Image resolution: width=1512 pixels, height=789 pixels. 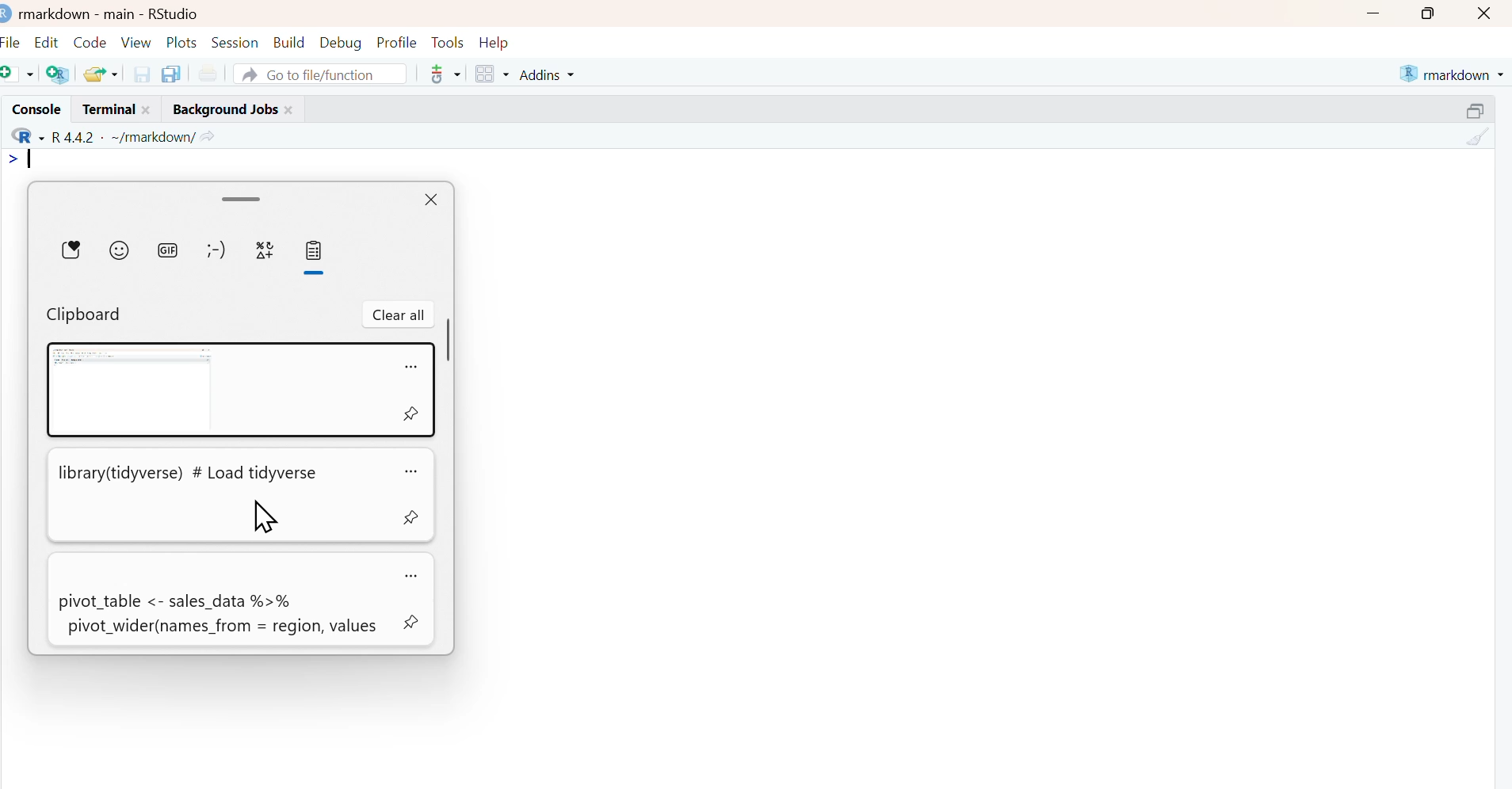 I want to click on pin, so click(x=413, y=621).